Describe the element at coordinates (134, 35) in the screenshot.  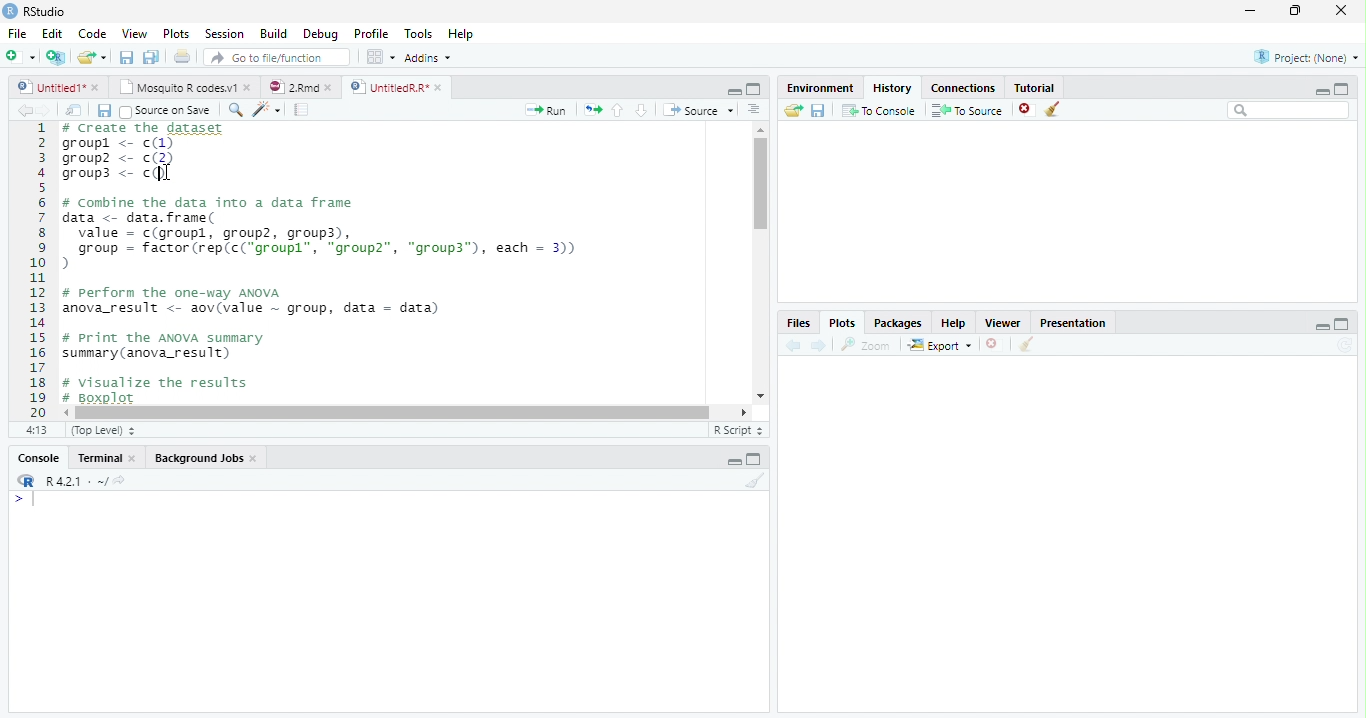
I see `View` at that location.